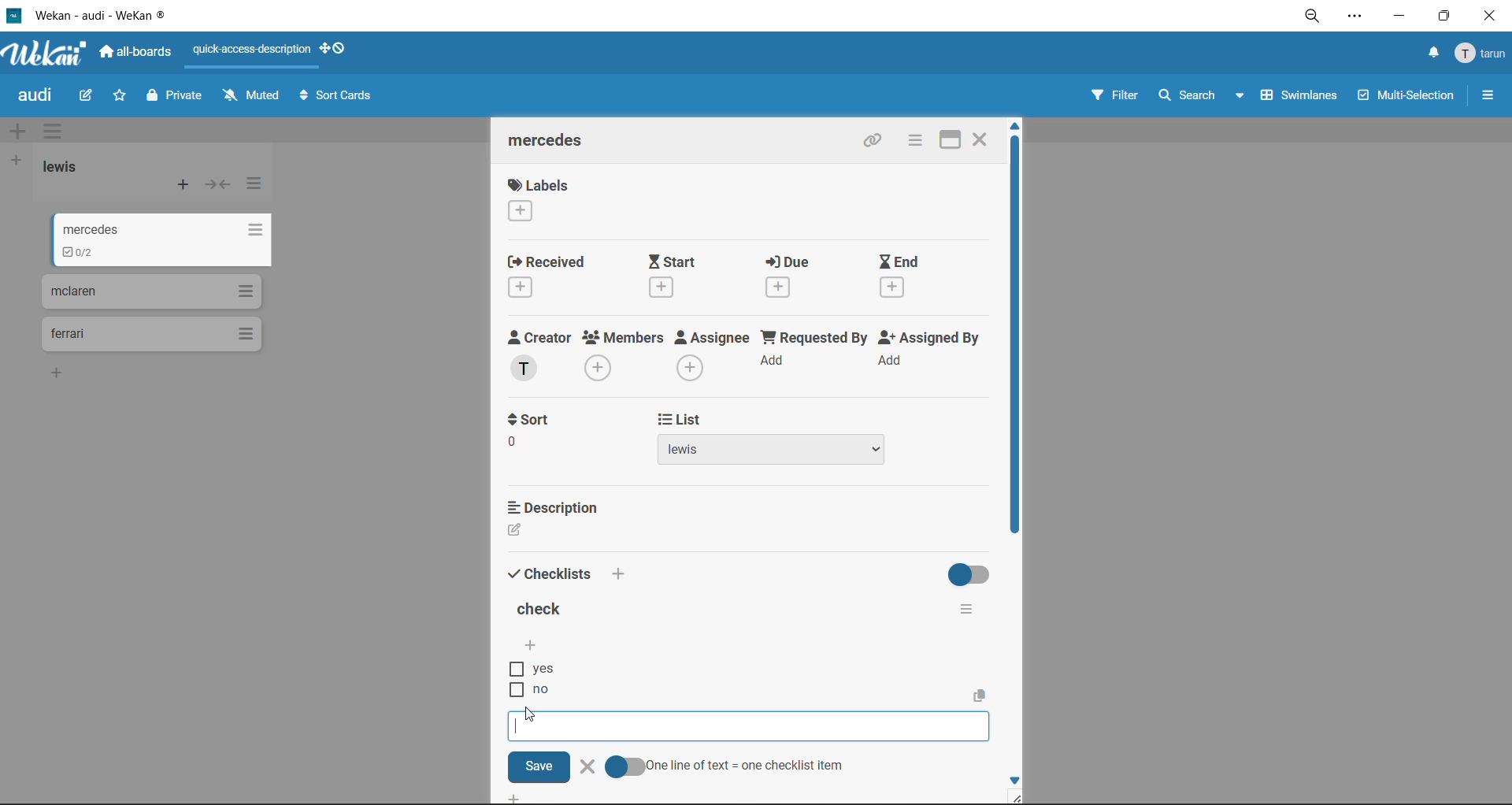 The image size is (1512, 805). What do you see at coordinates (246, 230) in the screenshot?
I see `list actions` at bounding box center [246, 230].